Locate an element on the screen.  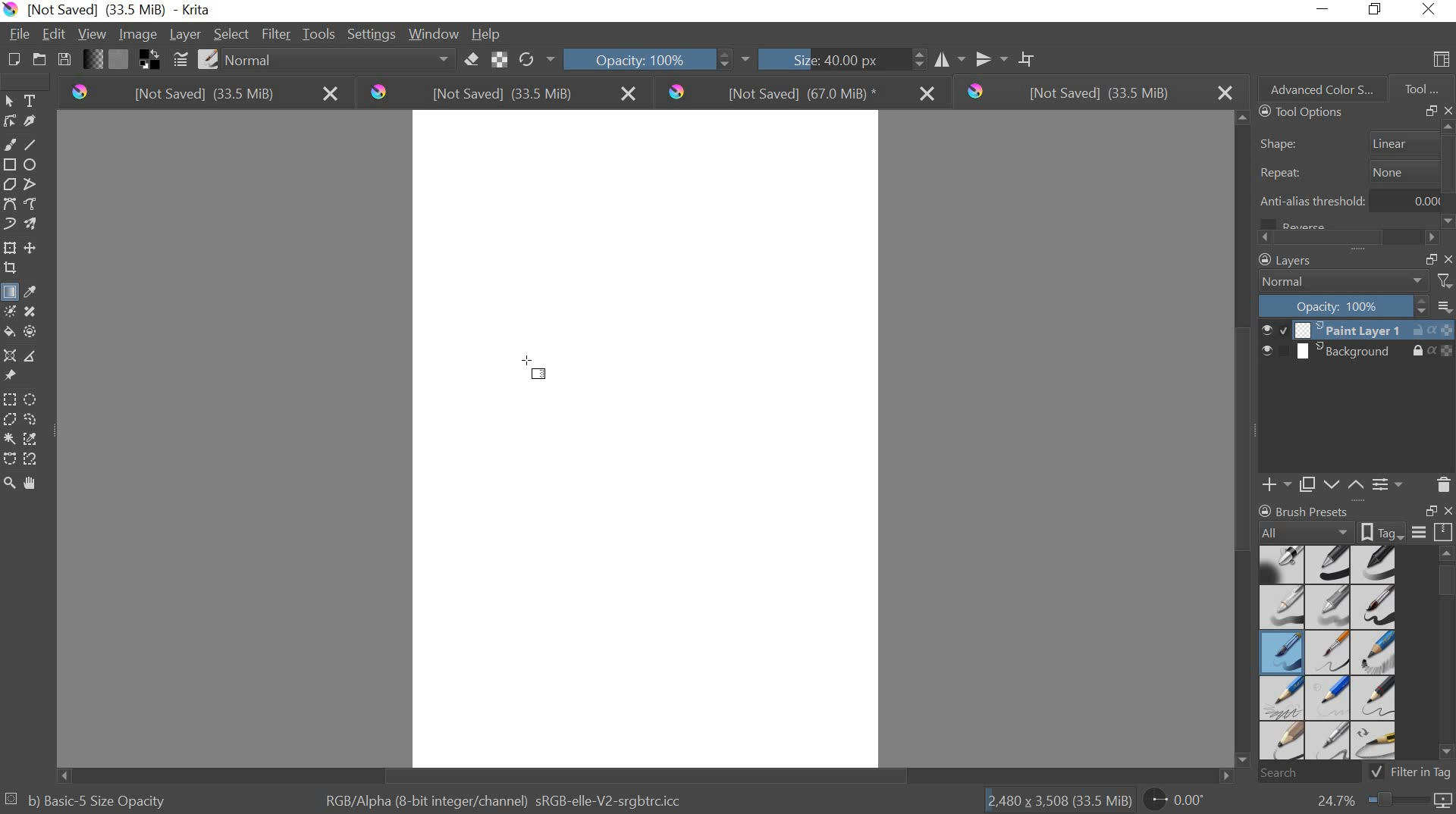
[not saved] (33.5 mb) is located at coordinates (1096, 92).